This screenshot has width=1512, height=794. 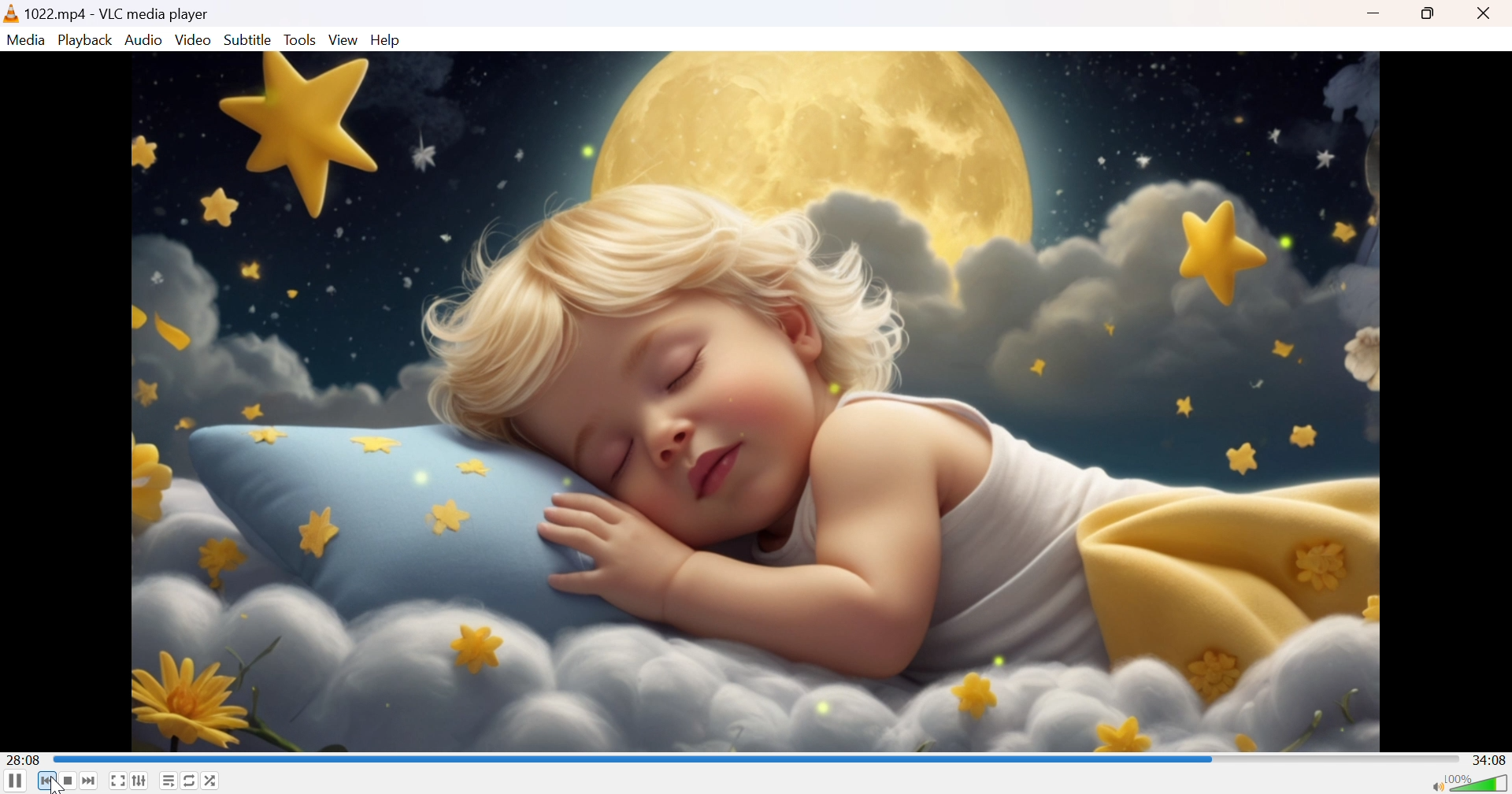 I want to click on Minimize, so click(x=1373, y=15).